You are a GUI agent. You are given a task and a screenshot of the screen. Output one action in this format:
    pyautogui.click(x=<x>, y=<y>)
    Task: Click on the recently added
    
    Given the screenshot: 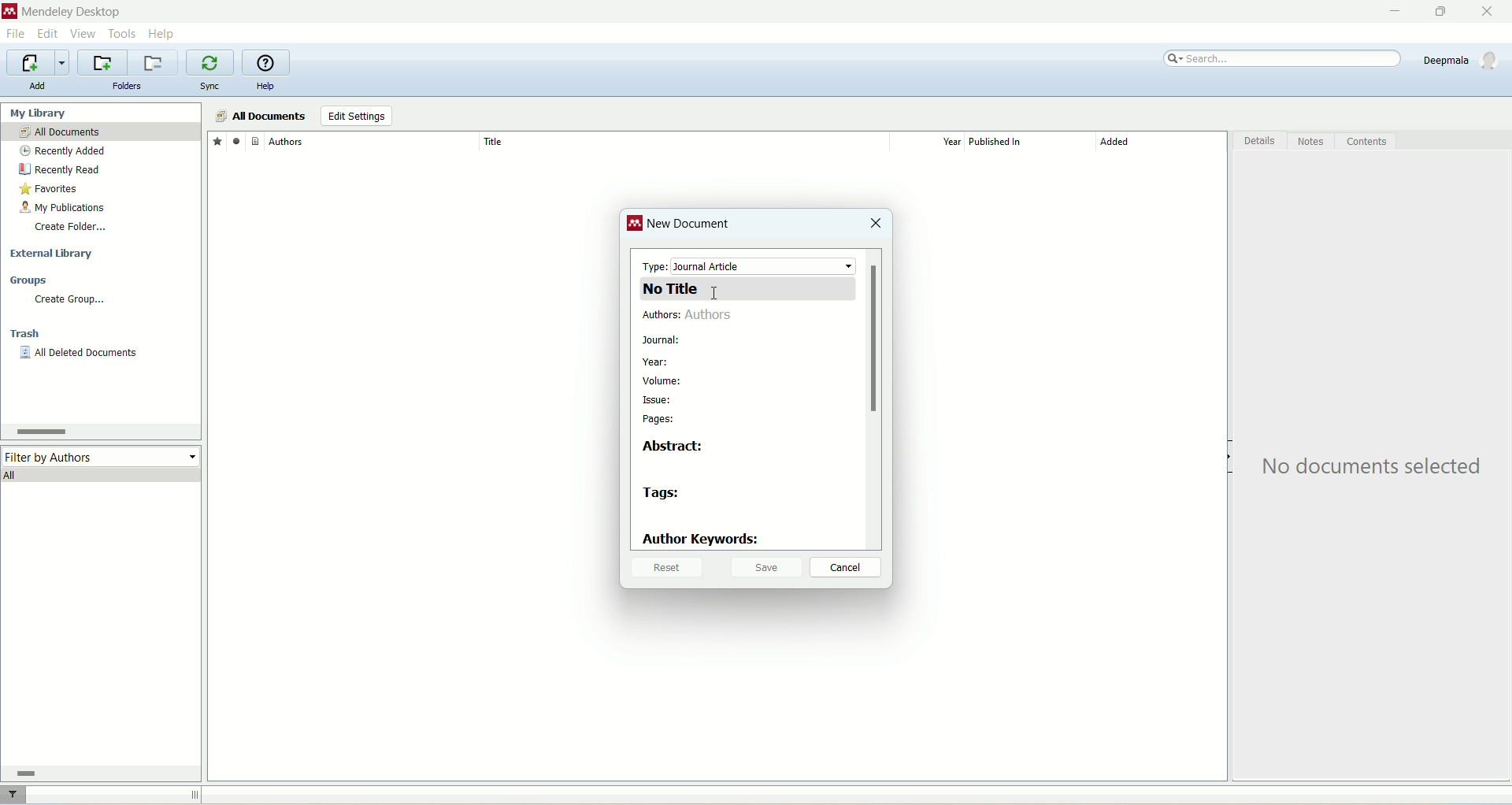 What is the action you would take?
    pyautogui.click(x=63, y=151)
    